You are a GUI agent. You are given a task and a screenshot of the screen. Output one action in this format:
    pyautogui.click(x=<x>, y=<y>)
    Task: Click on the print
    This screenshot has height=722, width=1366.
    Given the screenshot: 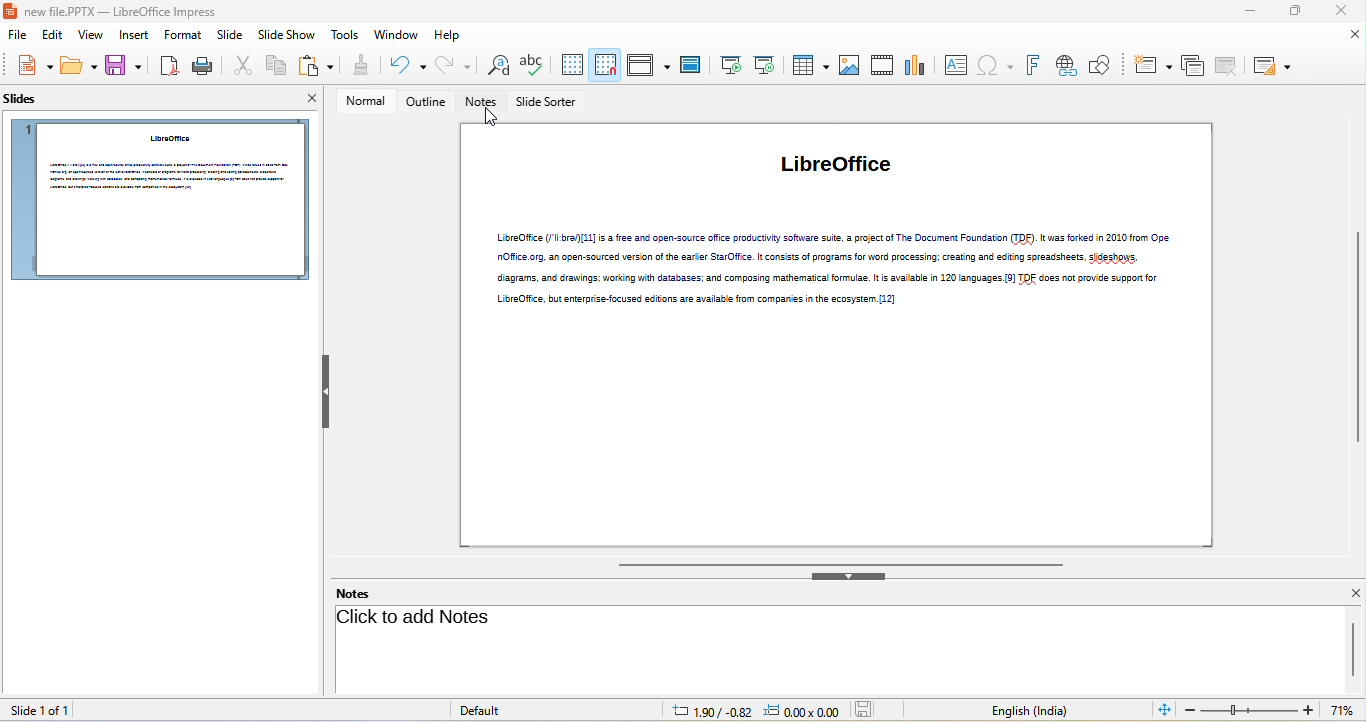 What is the action you would take?
    pyautogui.click(x=201, y=66)
    